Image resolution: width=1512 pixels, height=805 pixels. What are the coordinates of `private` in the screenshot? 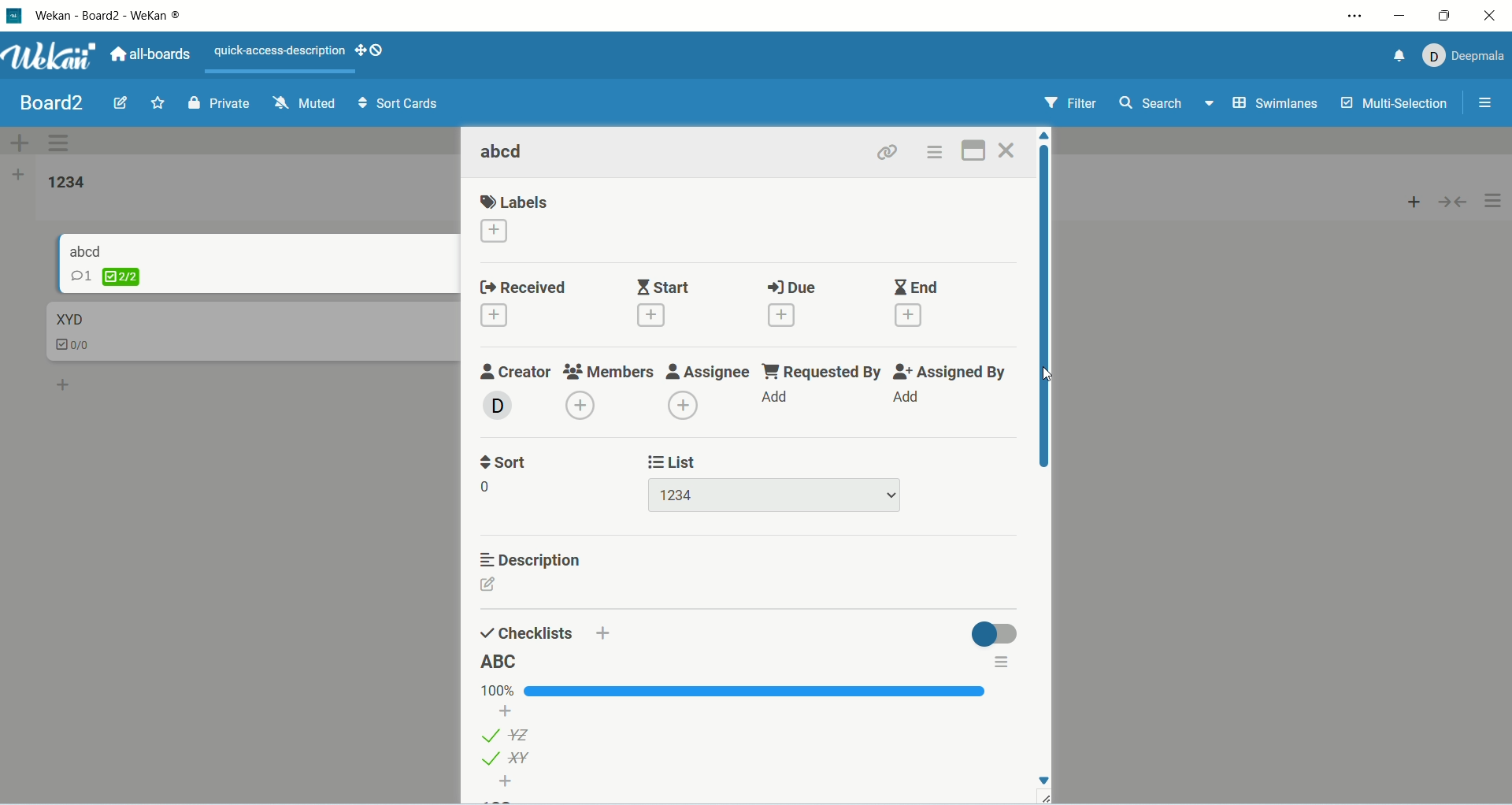 It's located at (216, 106).